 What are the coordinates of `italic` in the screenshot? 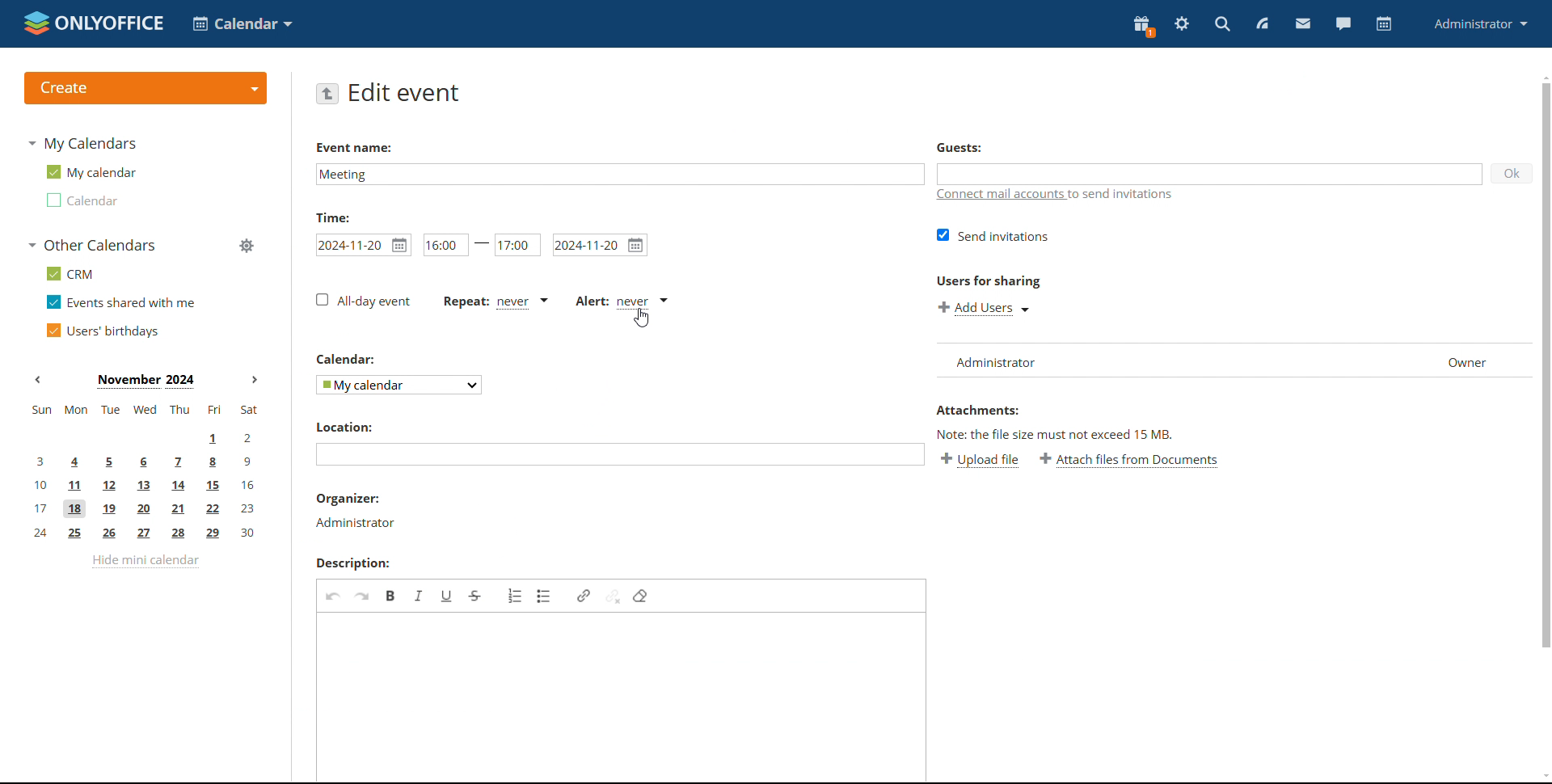 It's located at (420, 596).